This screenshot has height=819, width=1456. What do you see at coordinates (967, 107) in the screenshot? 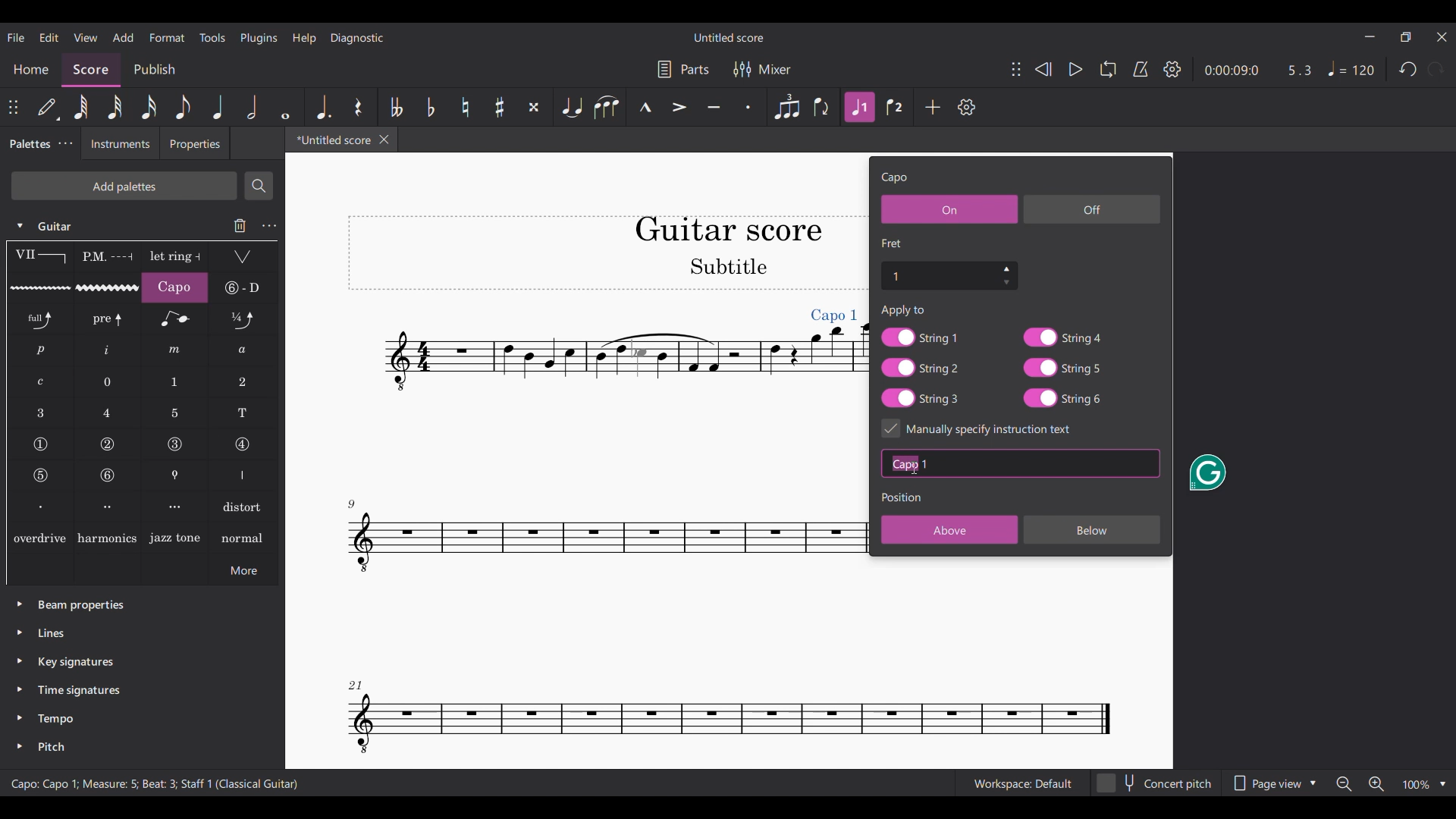
I see `Settings` at bounding box center [967, 107].